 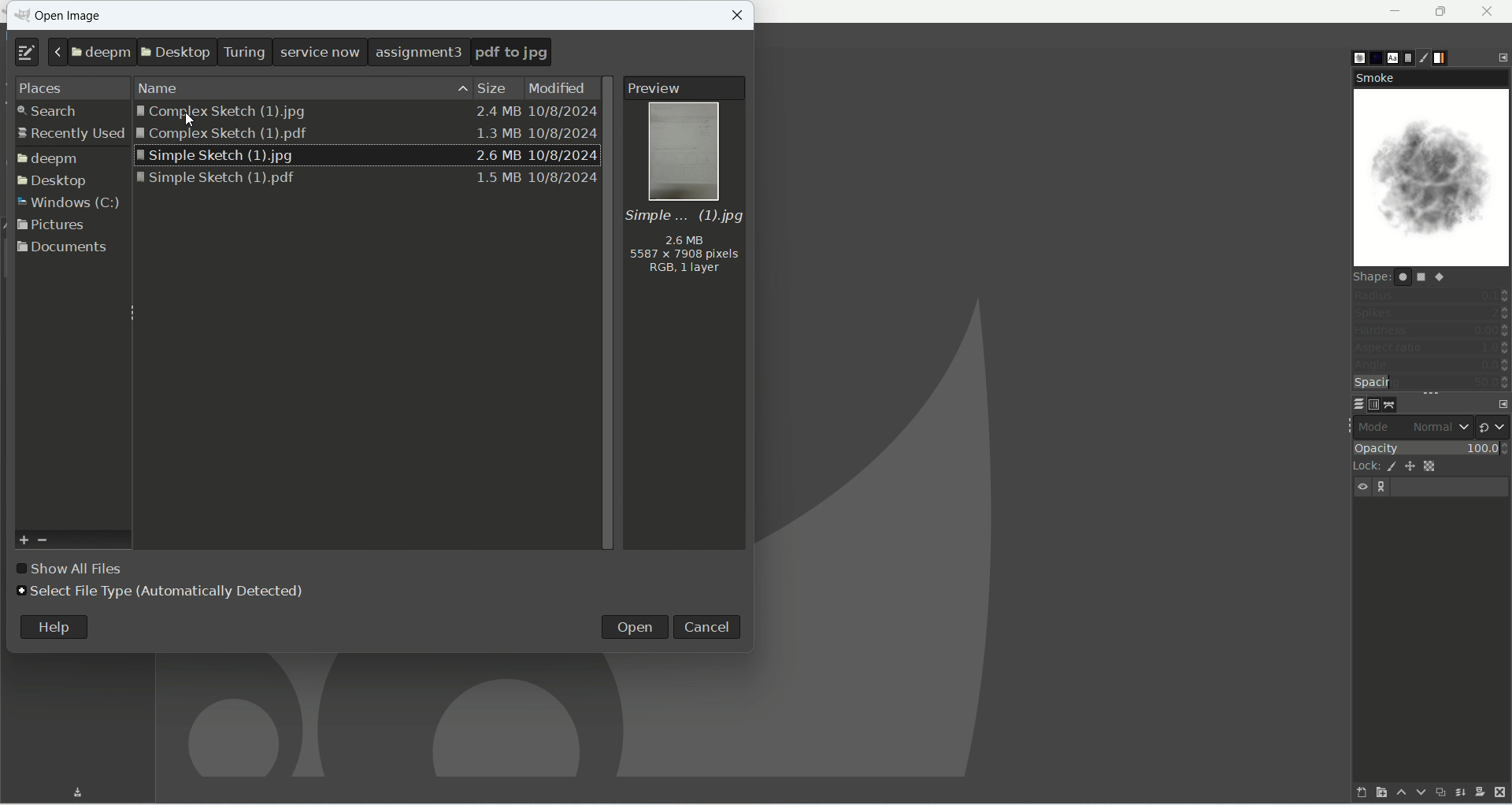 What do you see at coordinates (1432, 311) in the screenshot?
I see `spikes` at bounding box center [1432, 311].